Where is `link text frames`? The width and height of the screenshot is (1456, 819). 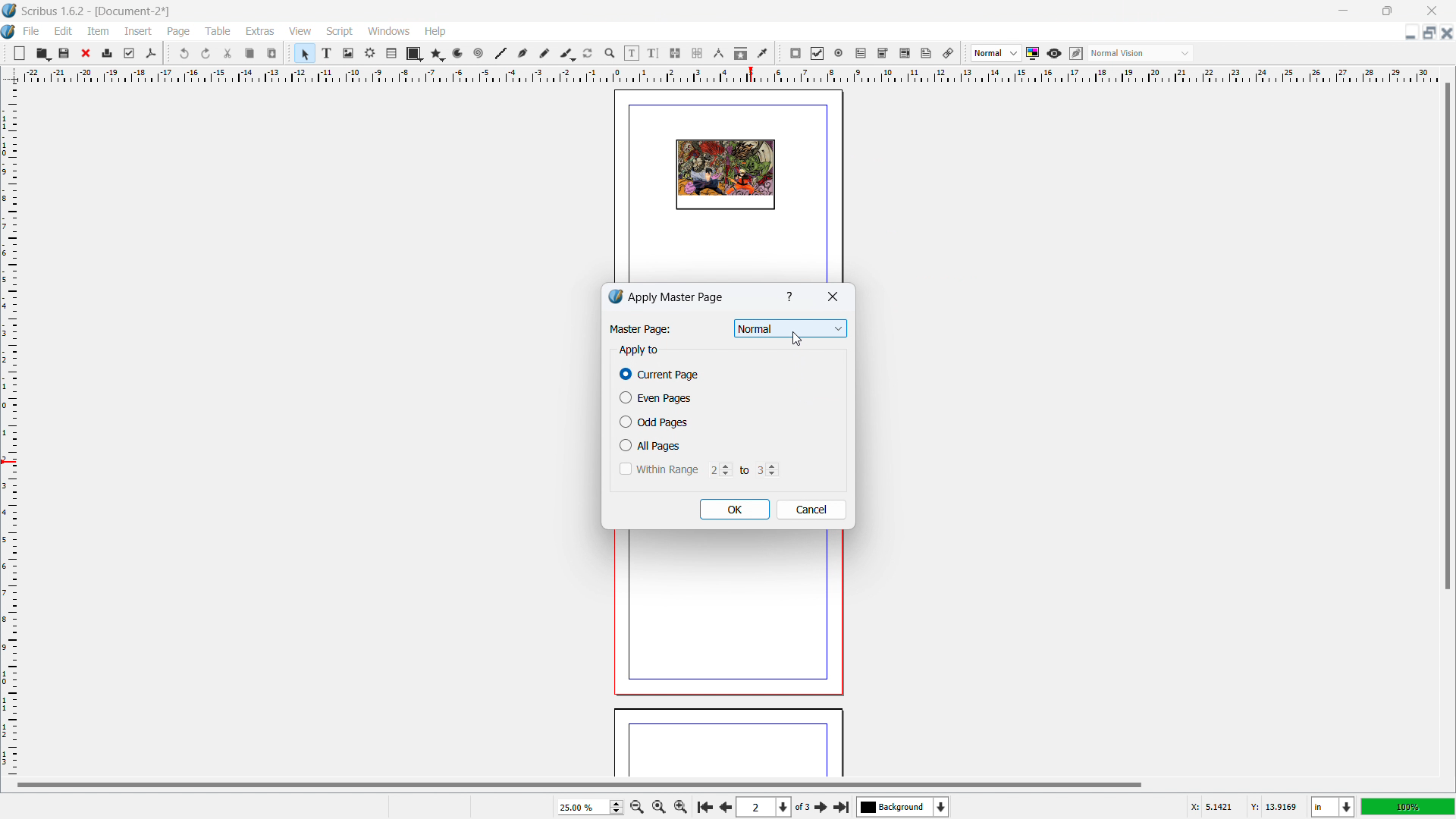 link text frames is located at coordinates (676, 54).